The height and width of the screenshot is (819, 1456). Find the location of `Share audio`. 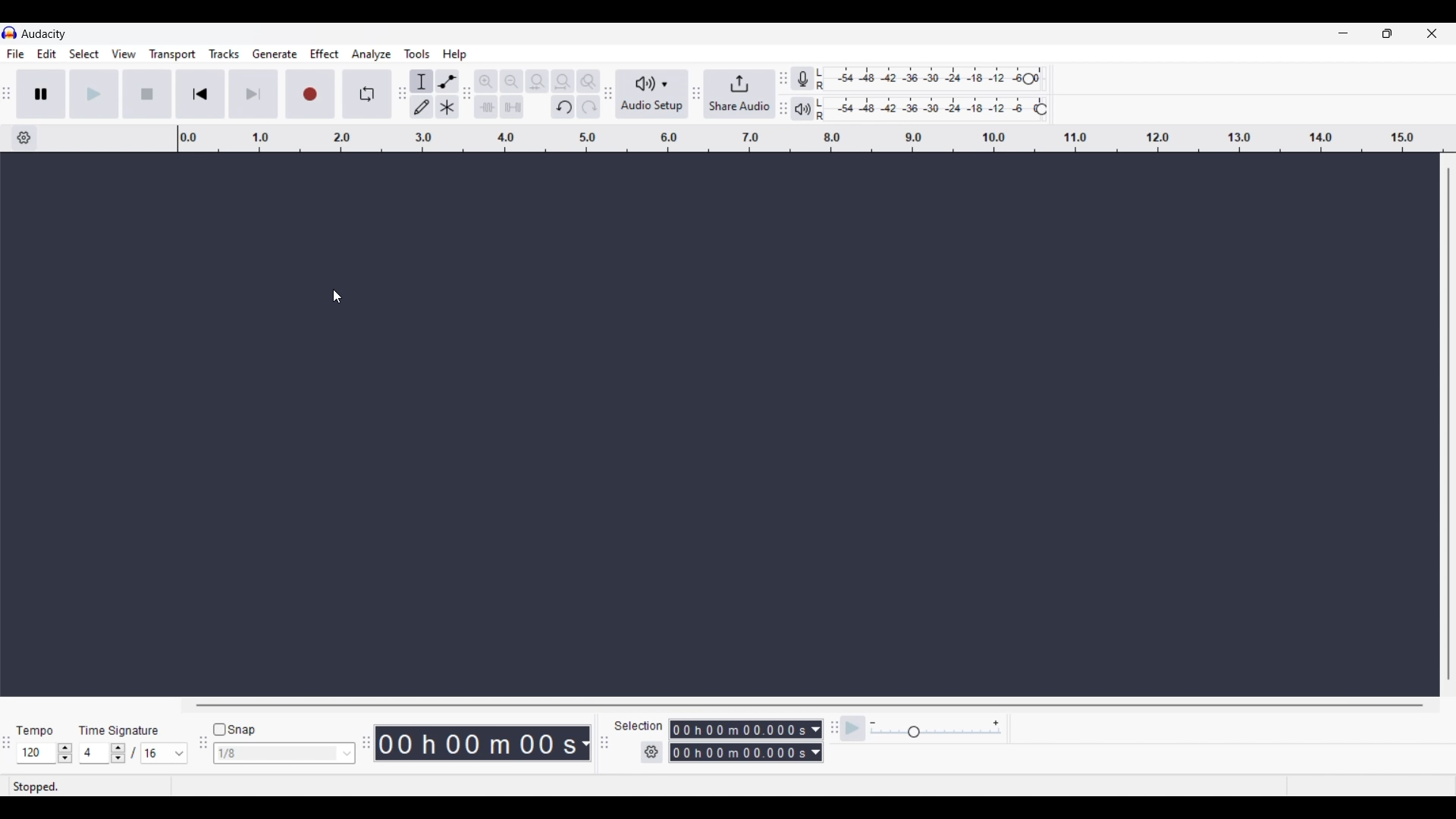

Share audio is located at coordinates (739, 94).